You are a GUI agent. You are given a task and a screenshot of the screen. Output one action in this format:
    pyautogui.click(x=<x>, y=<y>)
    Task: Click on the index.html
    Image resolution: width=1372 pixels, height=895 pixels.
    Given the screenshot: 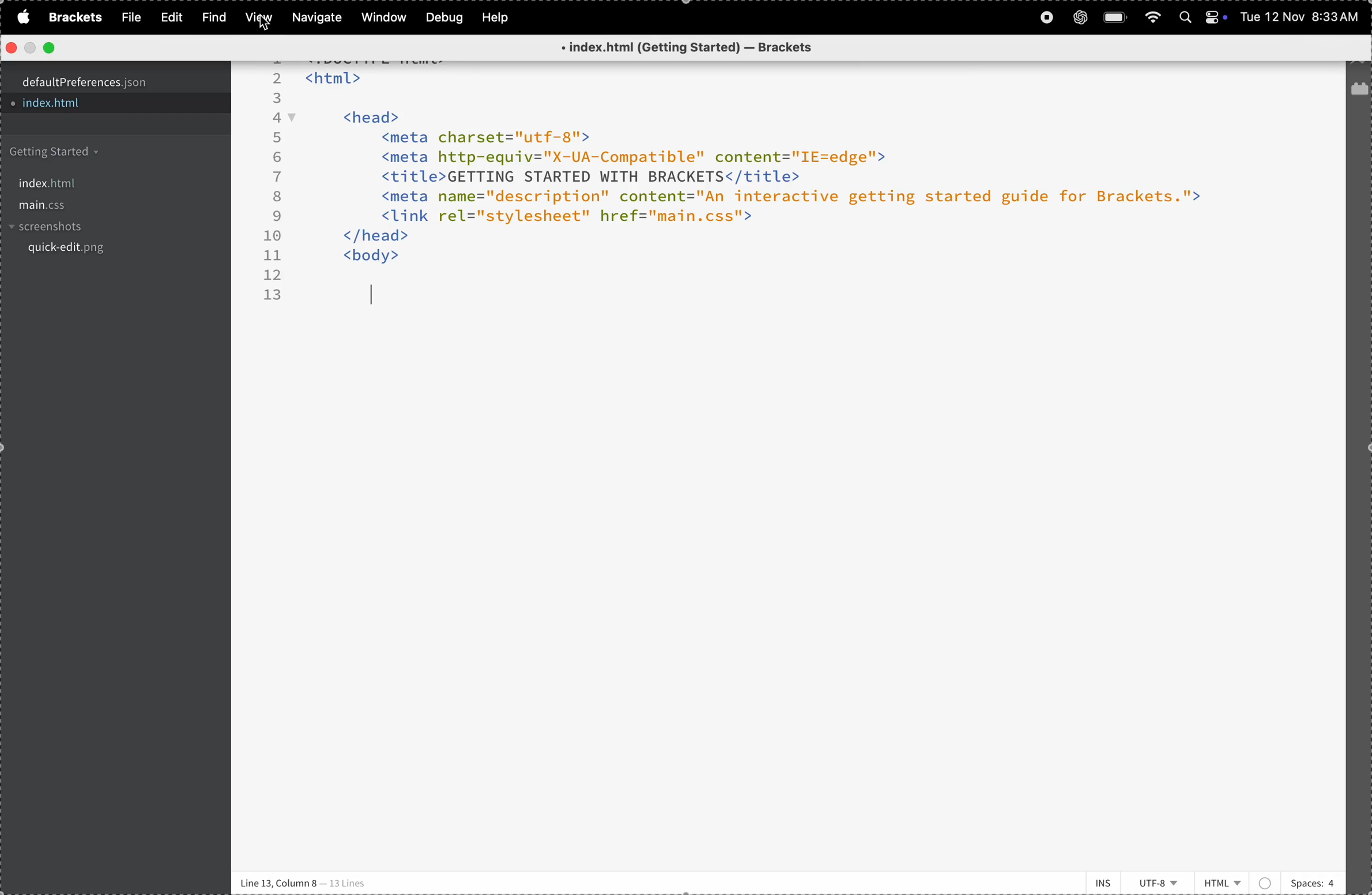 What is the action you would take?
    pyautogui.click(x=85, y=105)
    